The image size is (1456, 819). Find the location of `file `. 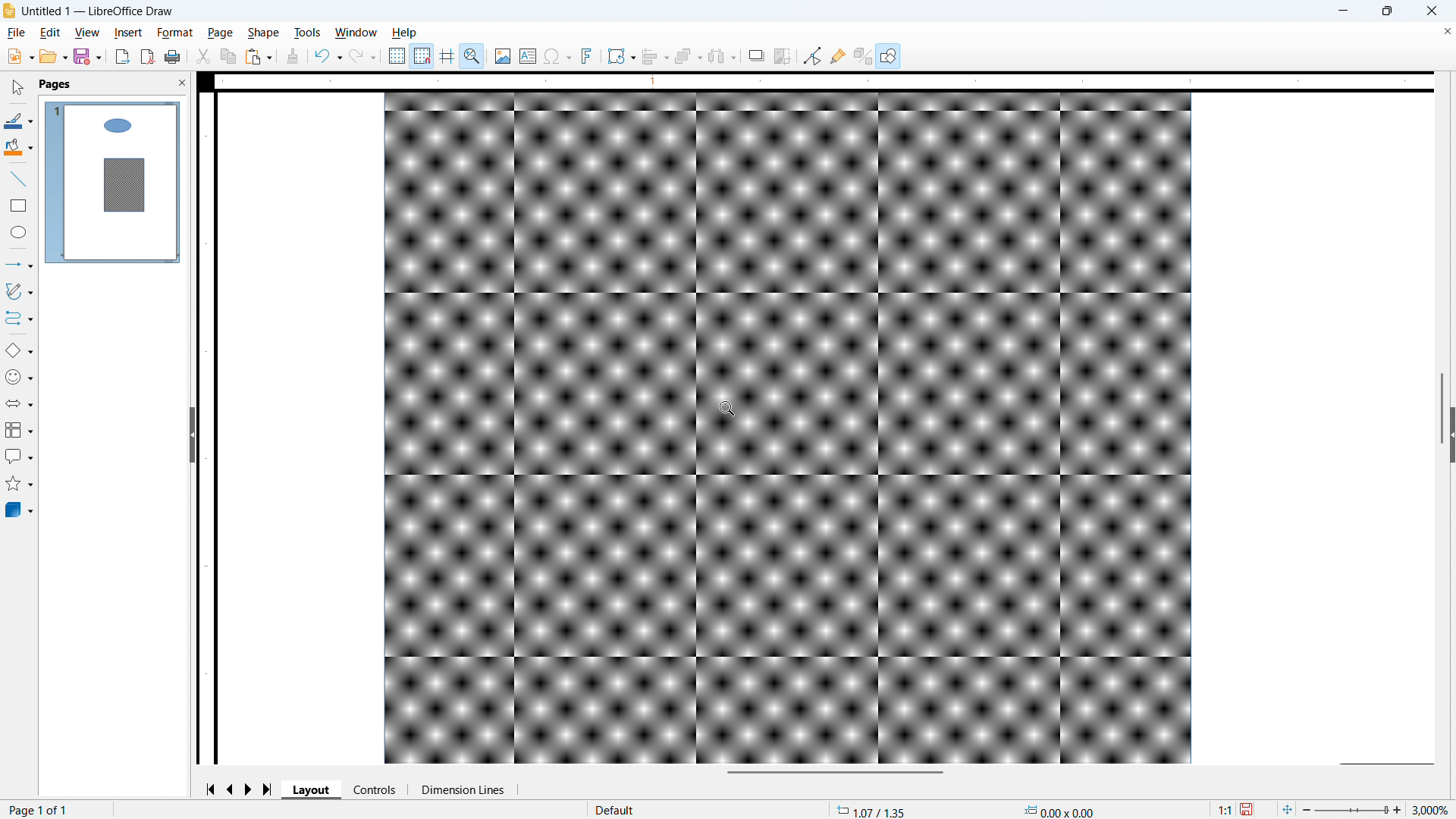

file  is located at coordinates (17, 33).